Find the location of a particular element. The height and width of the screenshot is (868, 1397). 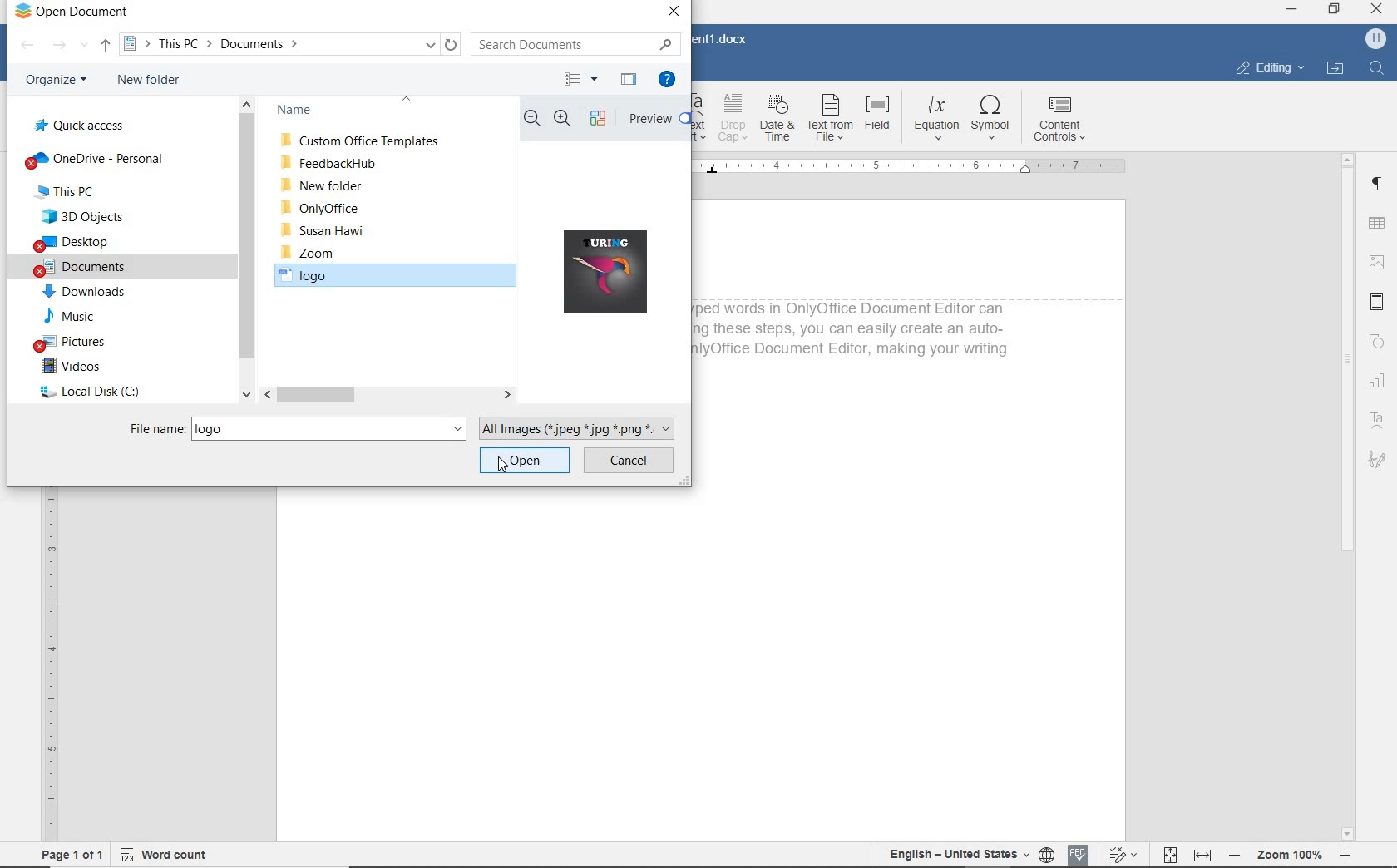

Chart is located at coordinates (1380, 382).